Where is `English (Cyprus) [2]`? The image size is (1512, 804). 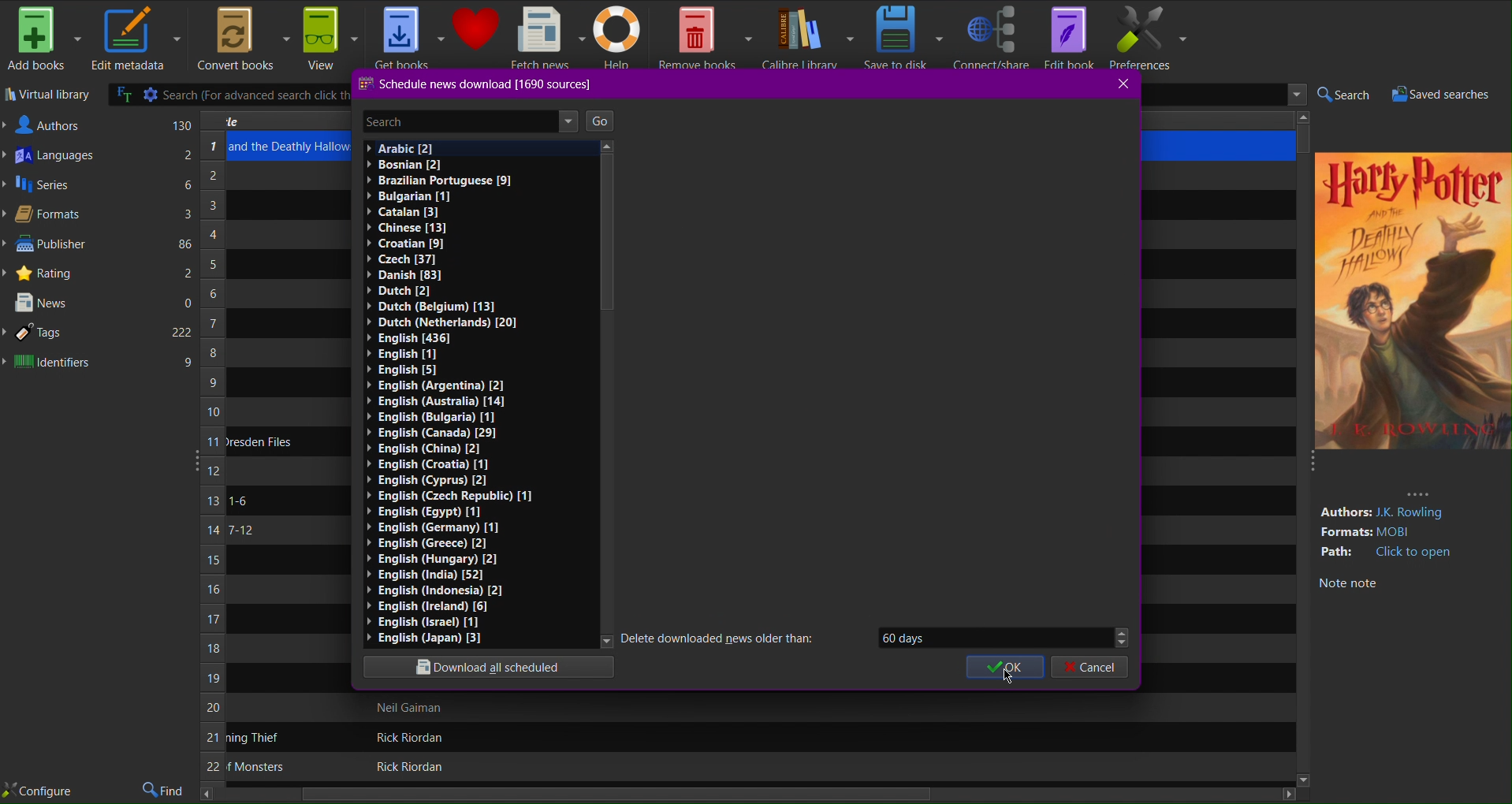 English (Cyprus) [2] is located at coordinates (432, 480).